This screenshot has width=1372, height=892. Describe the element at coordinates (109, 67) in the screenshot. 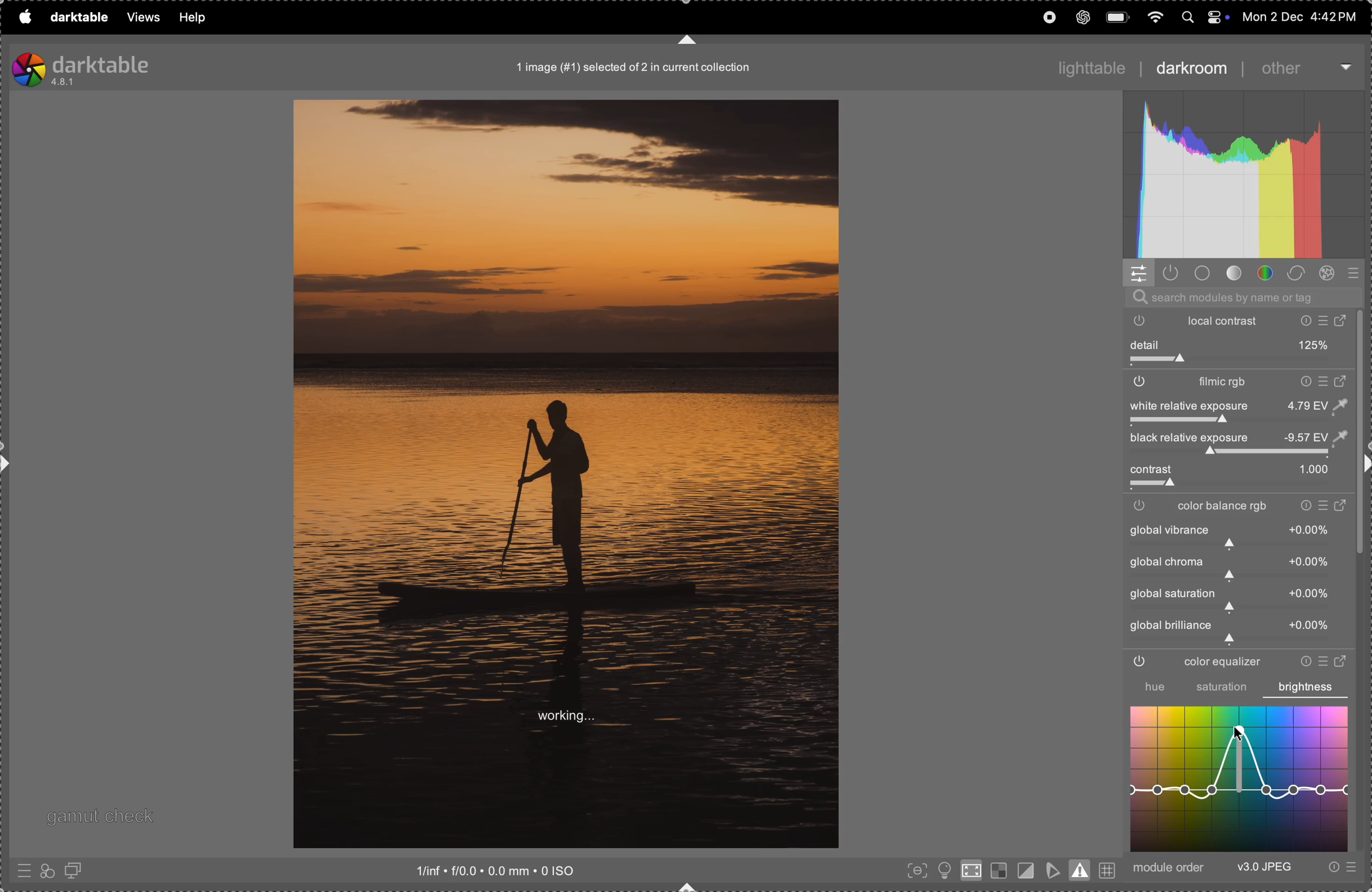

I see `darktable version` at that location.